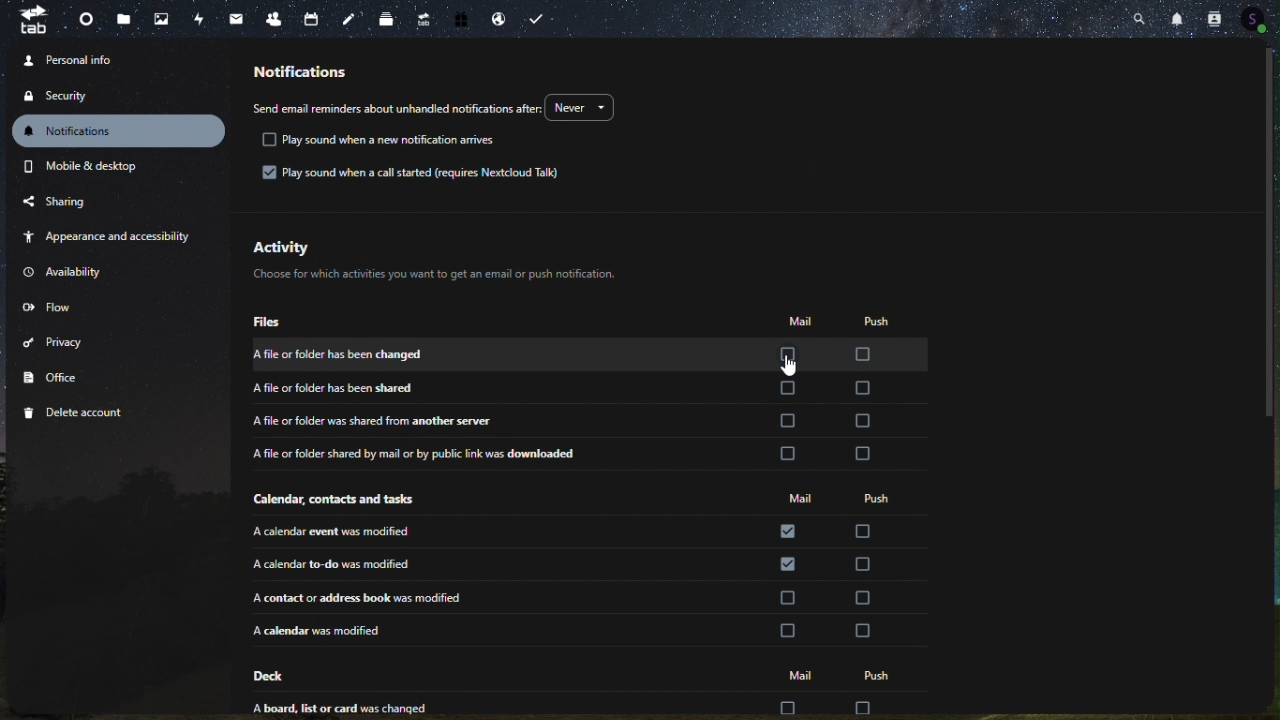 This screenshot has width=1280, height=720. I want to click on notification, so click(1178, 18).